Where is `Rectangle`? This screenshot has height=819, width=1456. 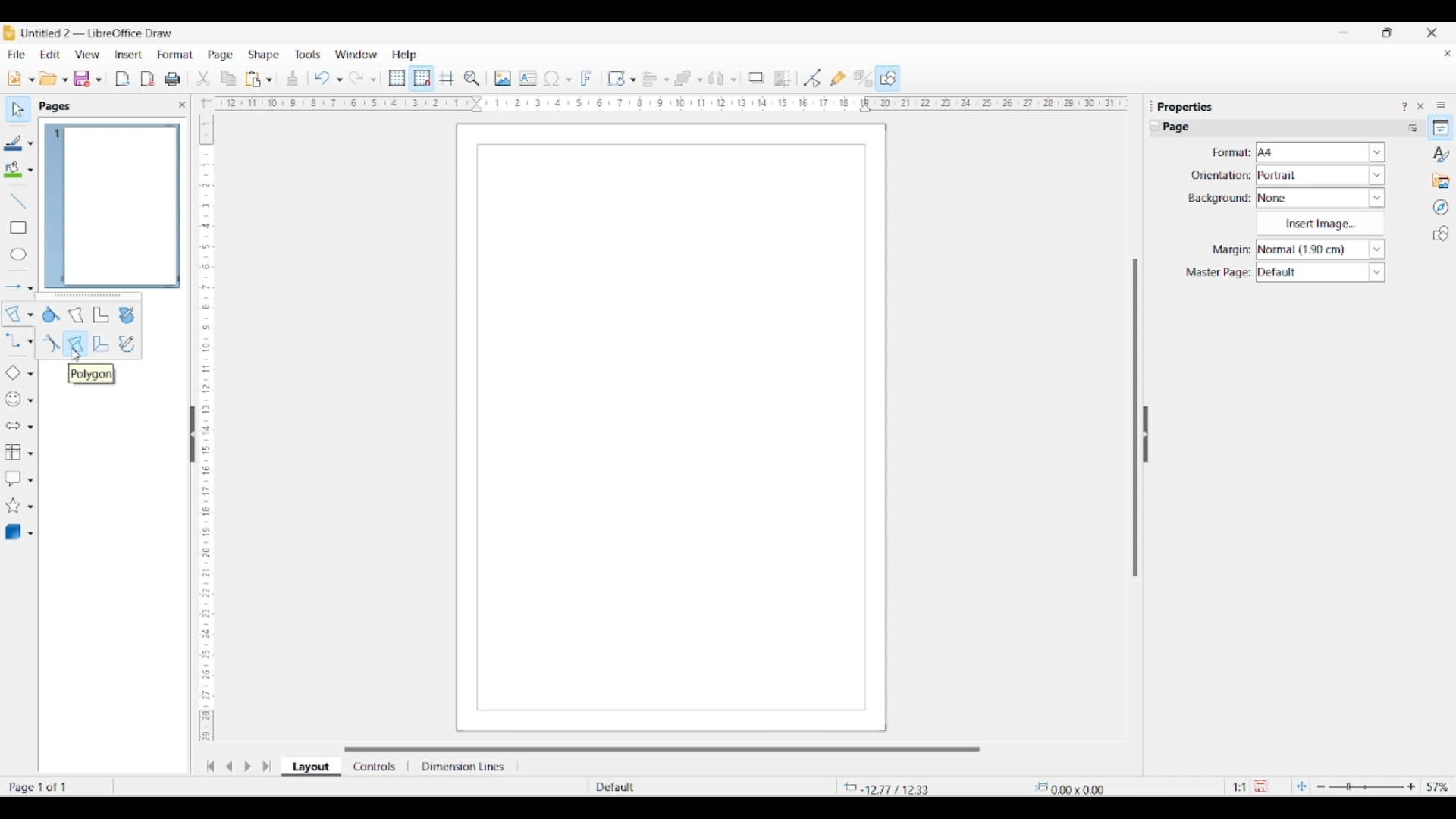
Rectangle is located at coordinates (18, 227).